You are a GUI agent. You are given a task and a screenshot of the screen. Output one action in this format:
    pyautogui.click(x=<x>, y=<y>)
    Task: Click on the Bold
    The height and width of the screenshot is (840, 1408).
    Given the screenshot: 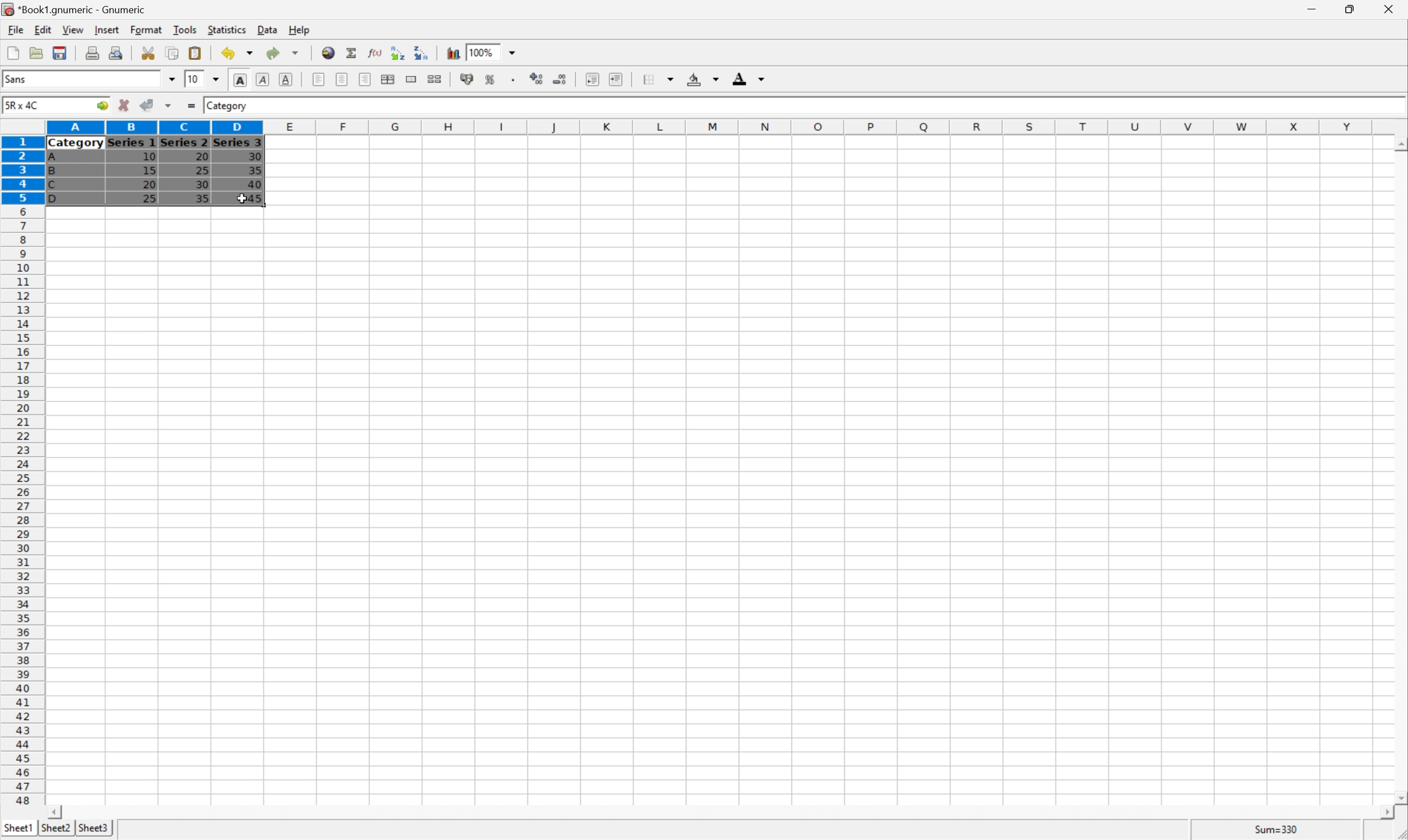 What is the action you would take?
    pyautogui.click(x=241, y=78)
    